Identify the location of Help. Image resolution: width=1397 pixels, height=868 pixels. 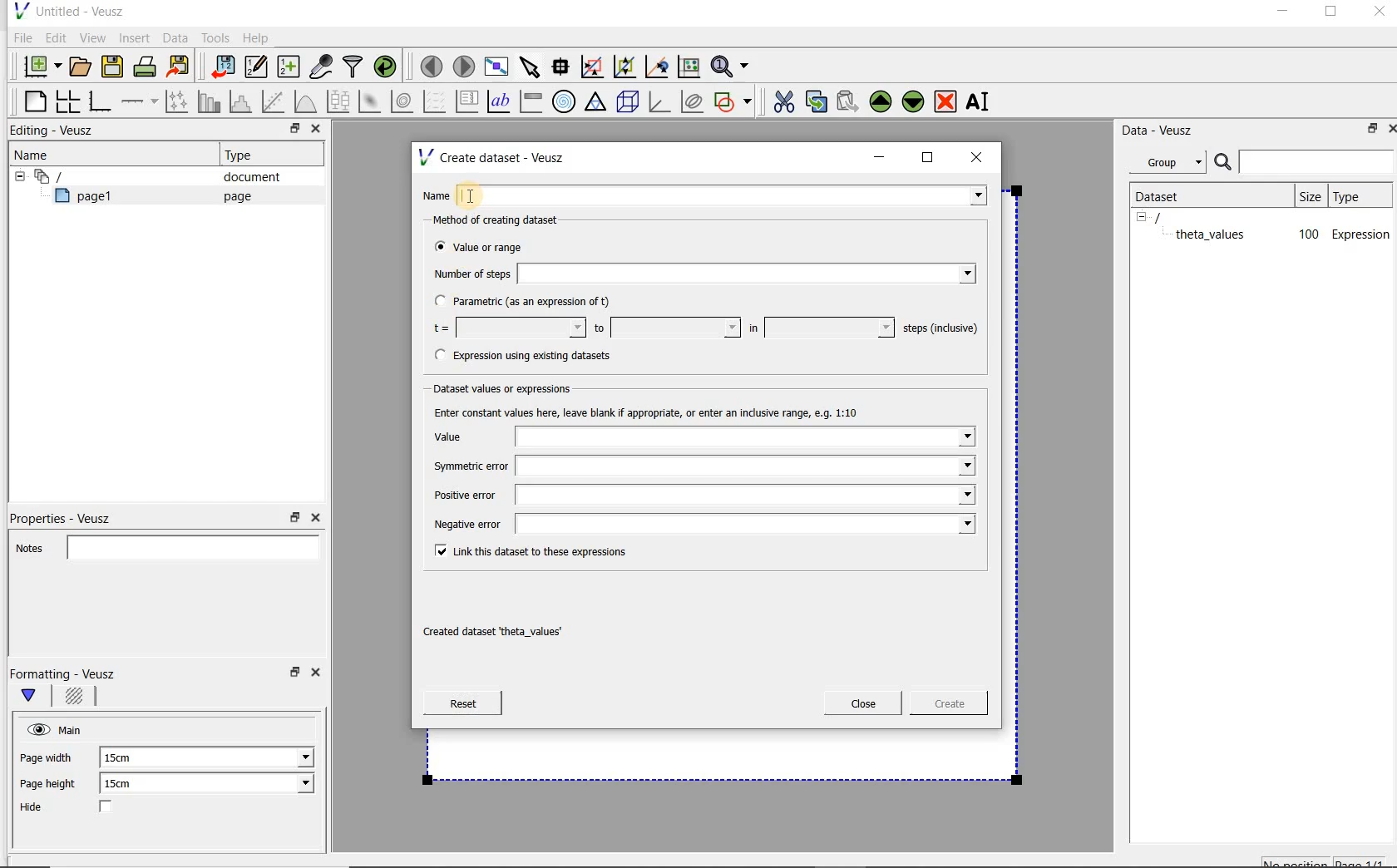
(258, 37).